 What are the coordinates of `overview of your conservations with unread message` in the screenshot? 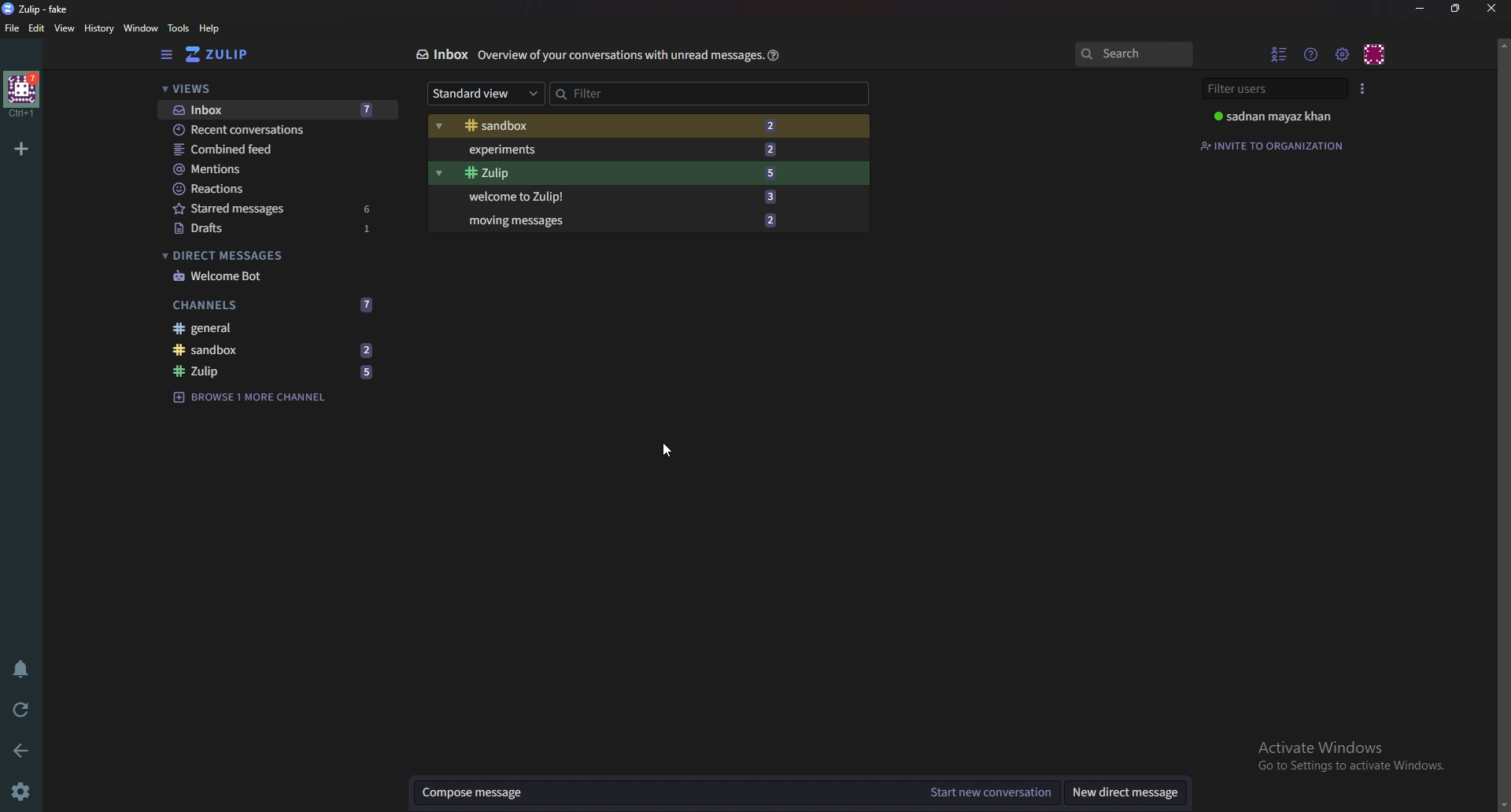 It's located at (620, 56).